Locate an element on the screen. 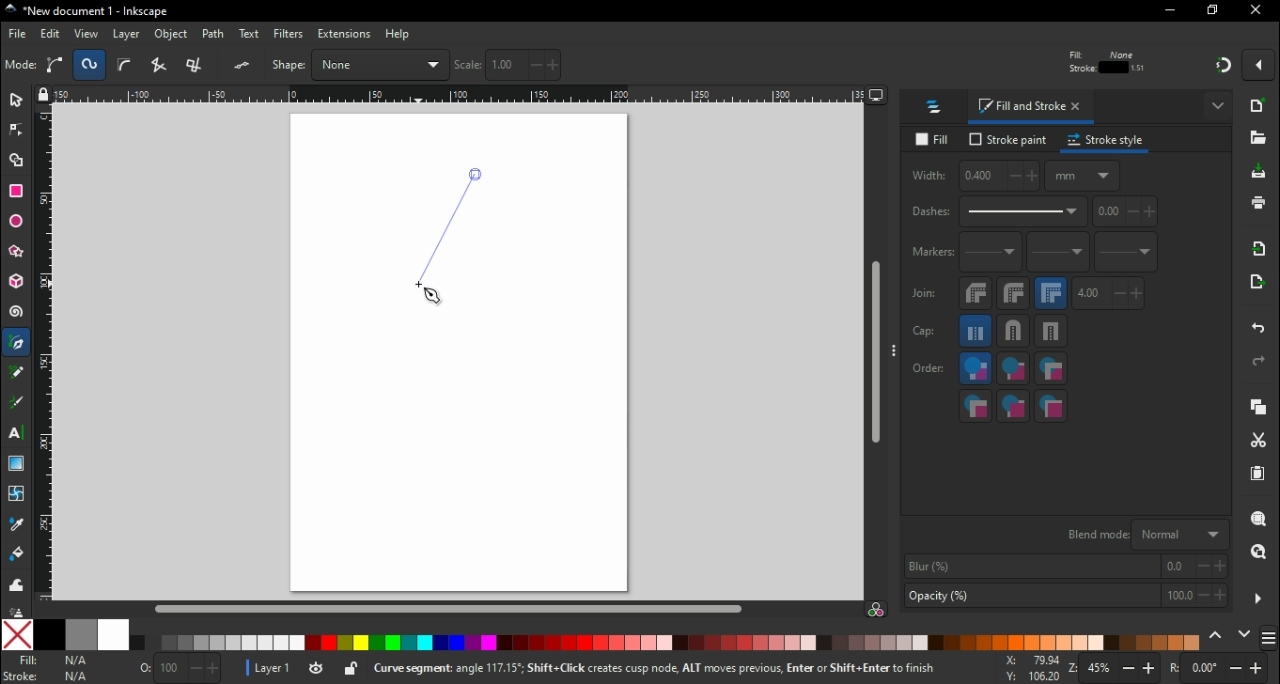  layer settings is located at coordinates (302, 669).